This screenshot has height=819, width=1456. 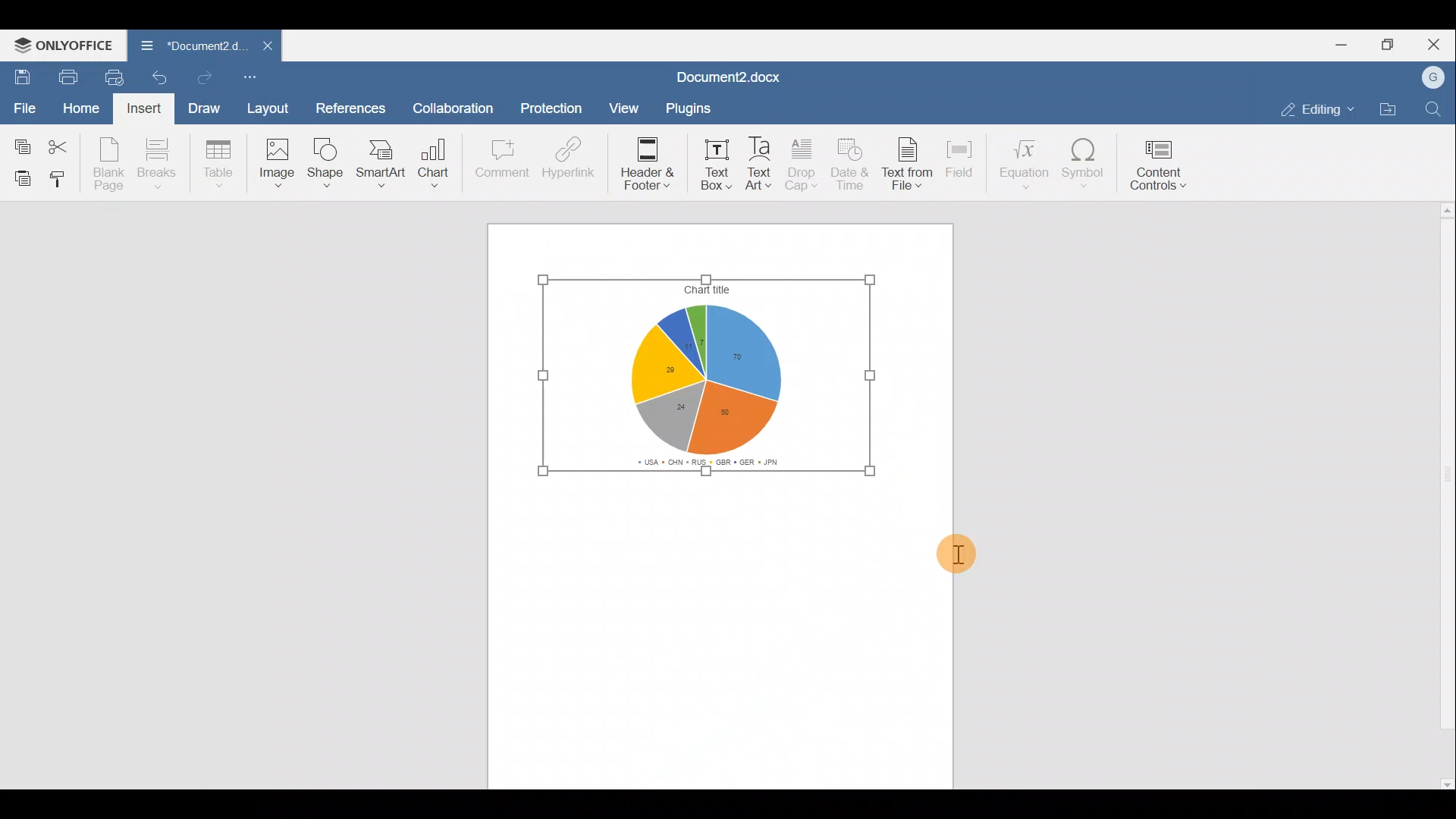 What do you see at coordinates (206, 110) in the screenshot?
I see `Draw` at bounding box center [206, 110].